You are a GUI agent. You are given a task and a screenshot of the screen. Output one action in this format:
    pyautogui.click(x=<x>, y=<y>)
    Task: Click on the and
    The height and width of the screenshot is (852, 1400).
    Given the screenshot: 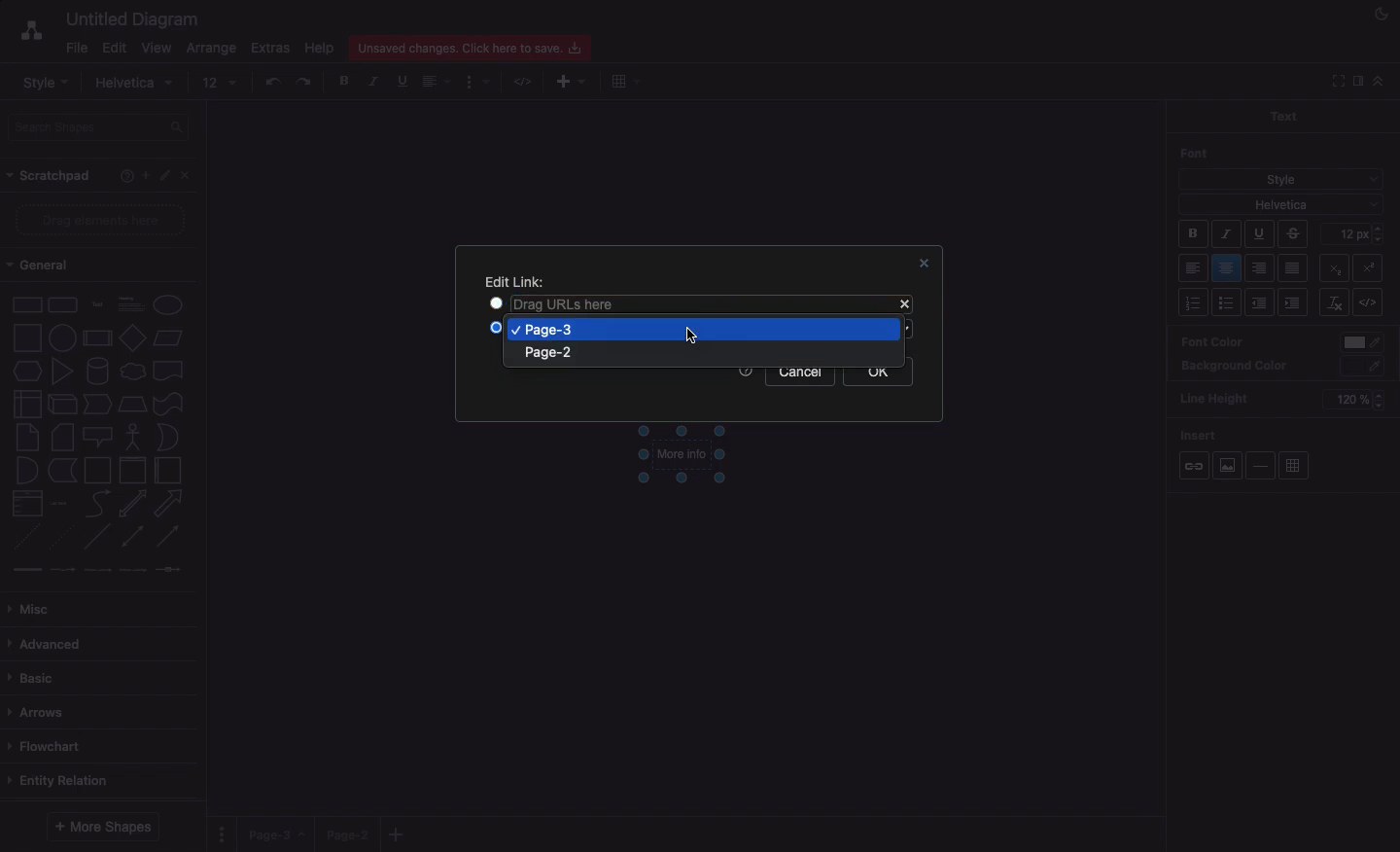 What is the action you would take?
    pyautogui.click(x=28, y=471)
    